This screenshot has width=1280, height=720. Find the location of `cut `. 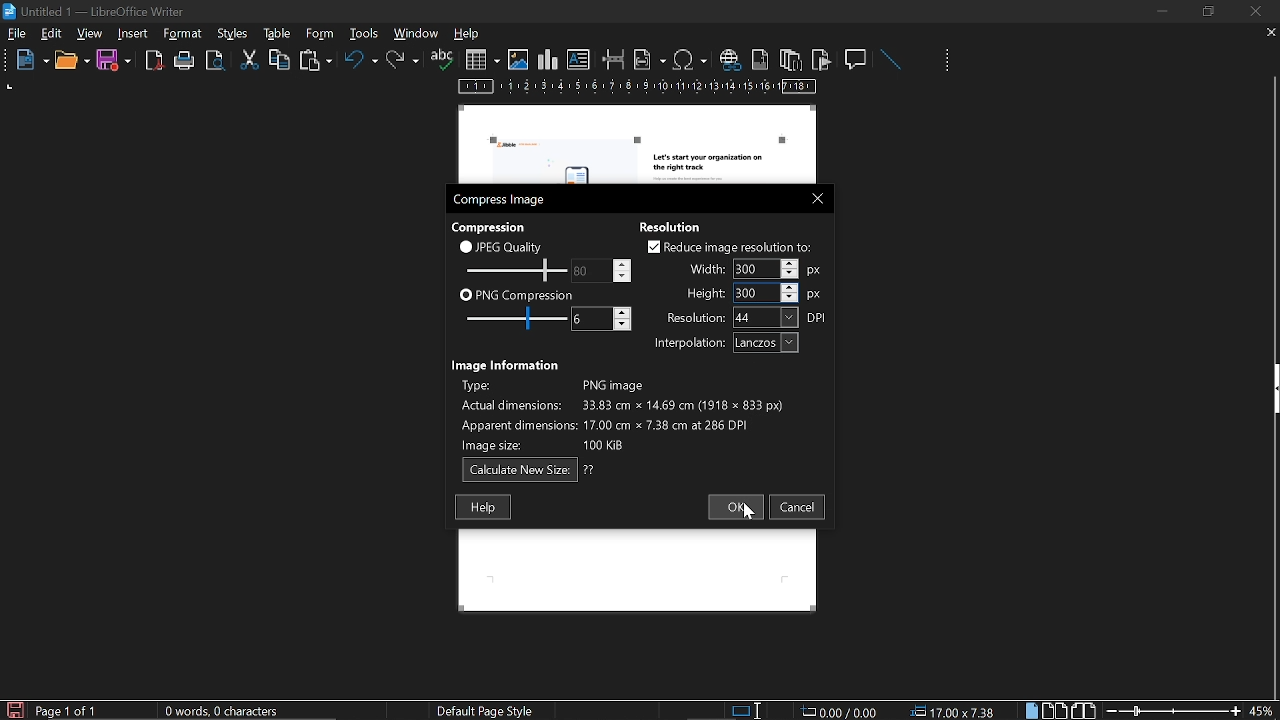

cut  is located at coordinates (250, 60).